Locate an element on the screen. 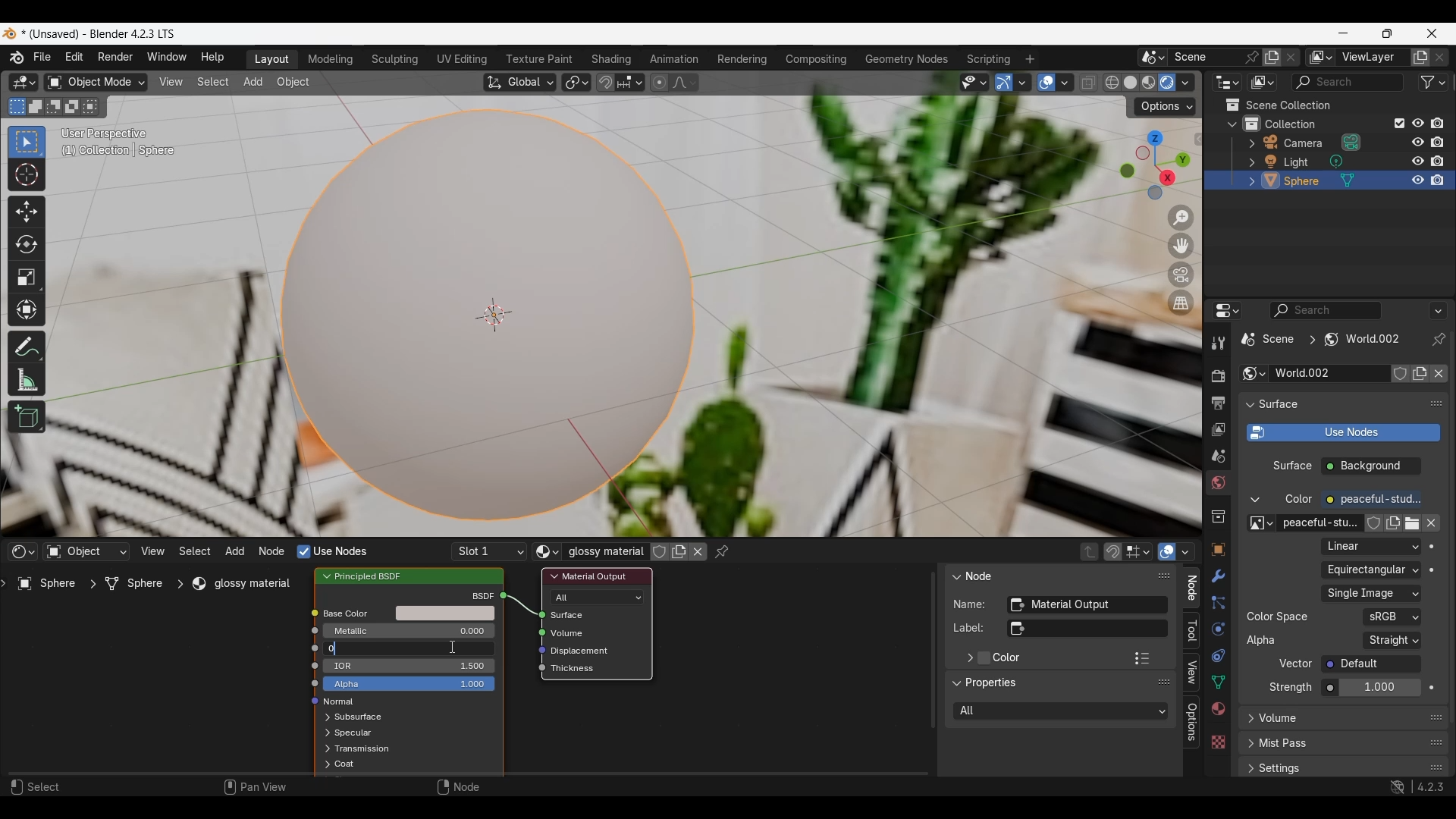 The height and width of the screenshot is (819, 1456). Centre of the object is located at coordinates (494, 315).